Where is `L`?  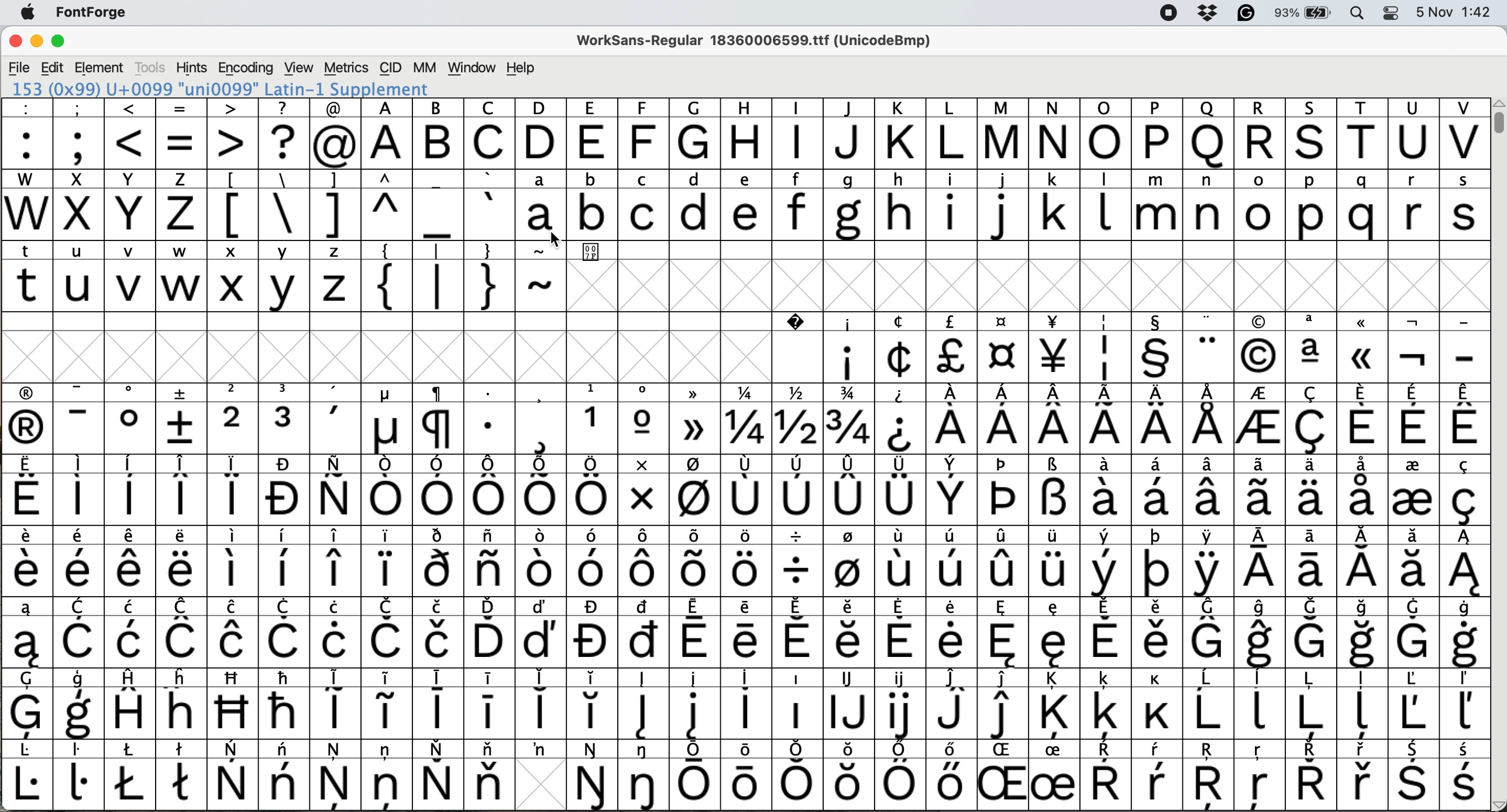
L is located at coordinates (951, 134).